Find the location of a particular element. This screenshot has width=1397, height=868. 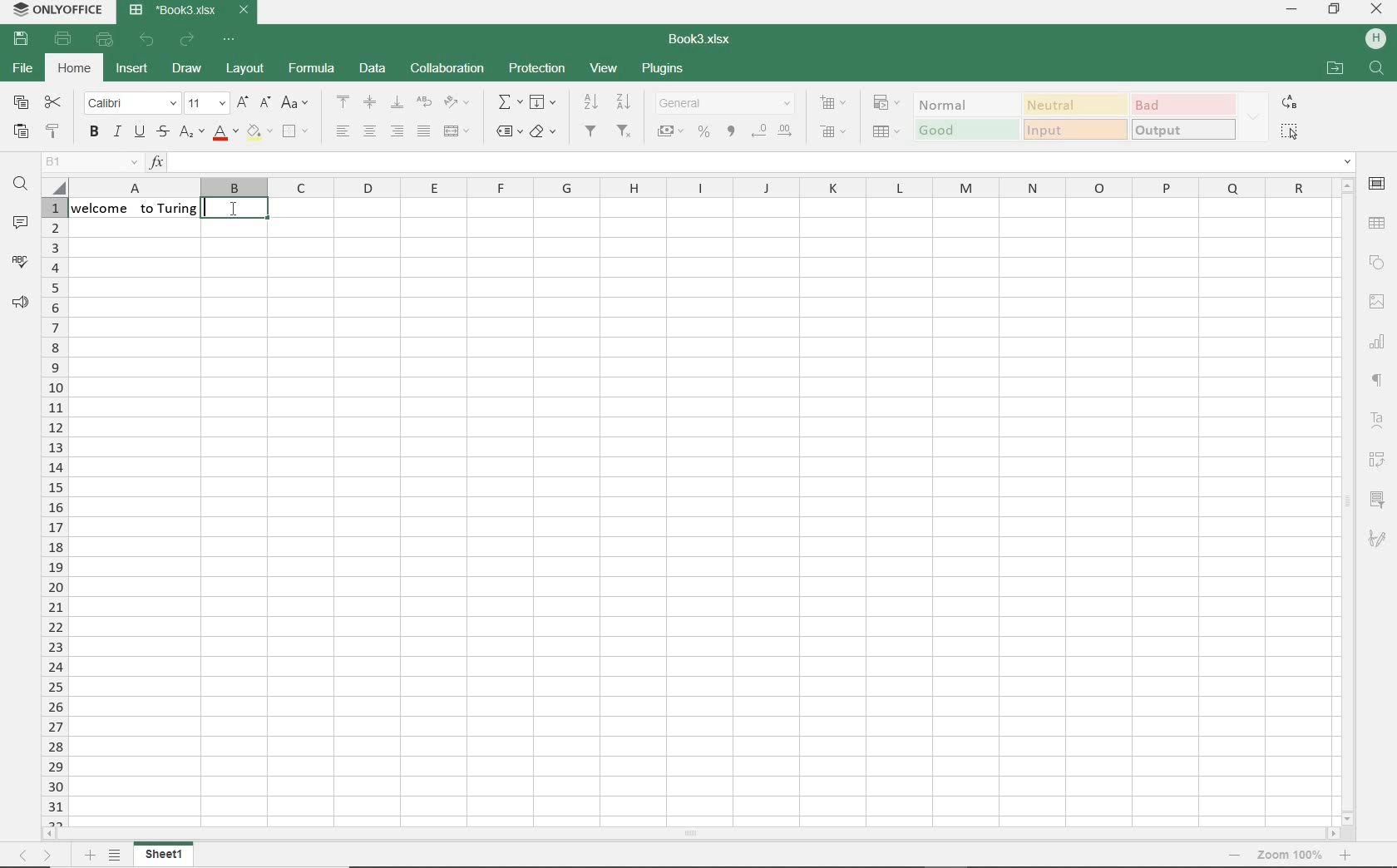

Neutral is located at coordinates (1074, 104).